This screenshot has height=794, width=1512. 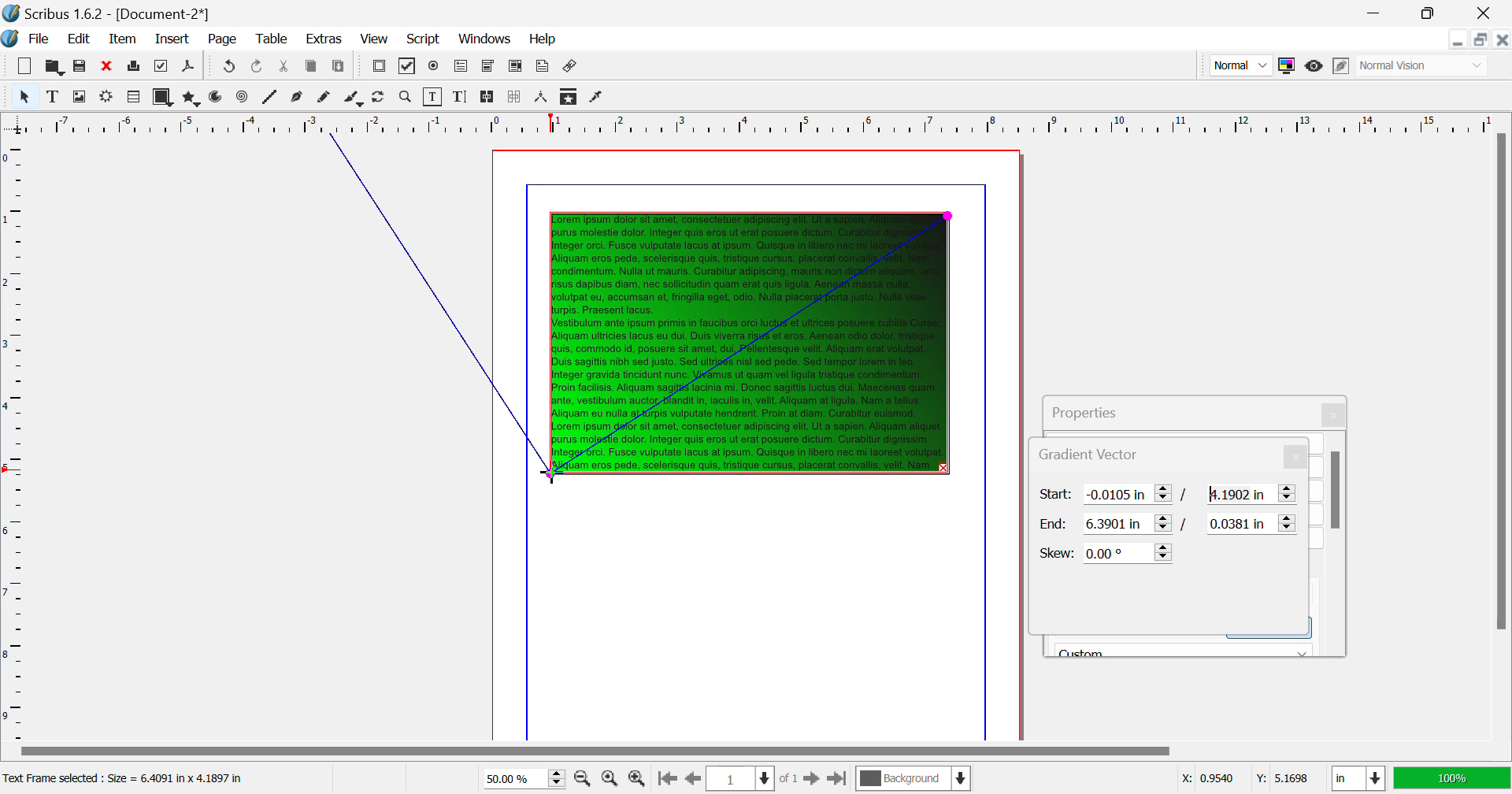 What do you see at coordinates (132, 98) in the screenshot?
I see `Render Frame` at bounding box center [132, 98].